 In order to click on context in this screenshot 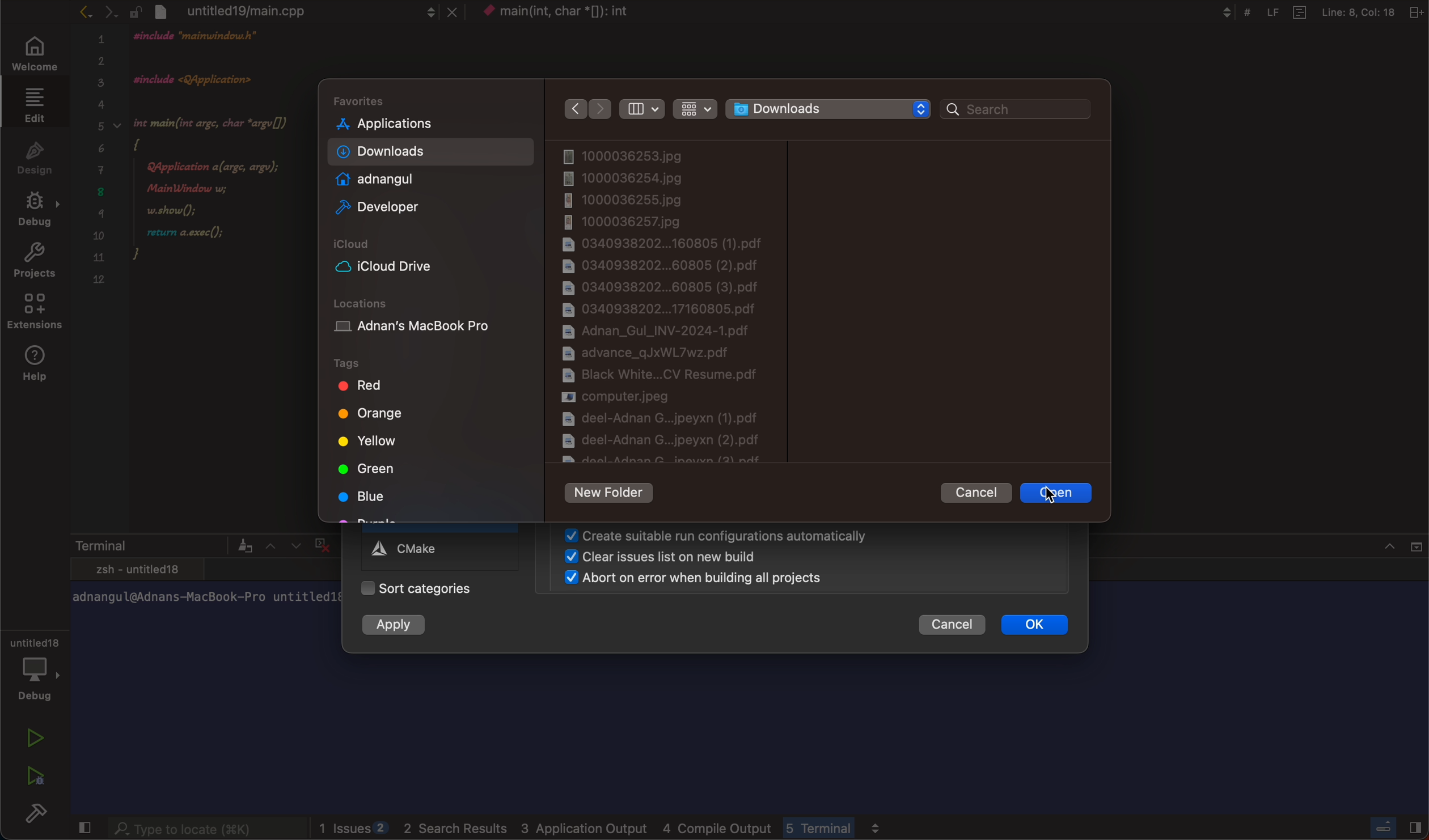, I will do `click(579, 12)`.